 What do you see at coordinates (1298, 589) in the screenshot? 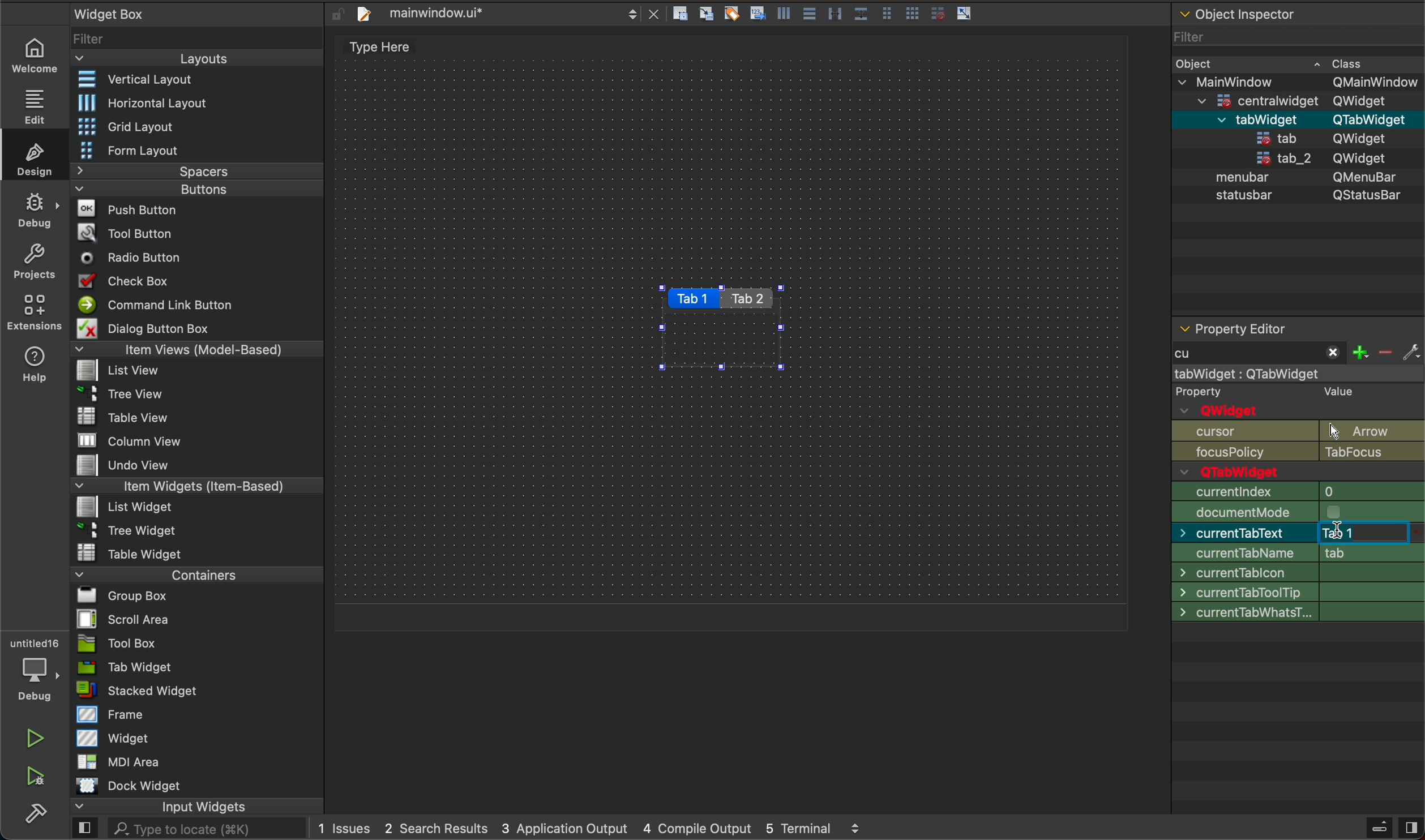
I see `base size` at bounding box center [1298, 589].